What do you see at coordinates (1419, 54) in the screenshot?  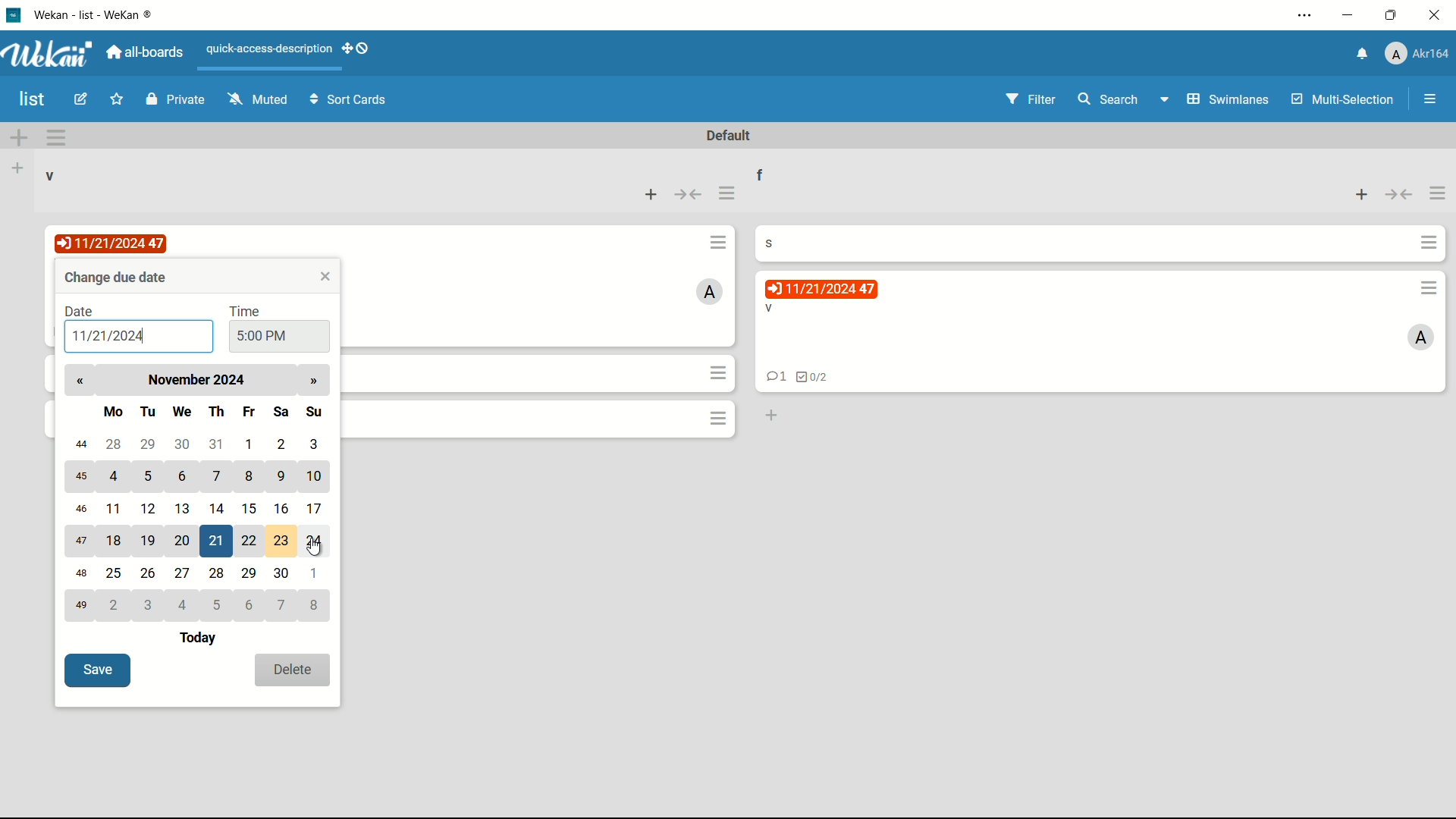 I see `profile` at bounding box center [1419, 54].